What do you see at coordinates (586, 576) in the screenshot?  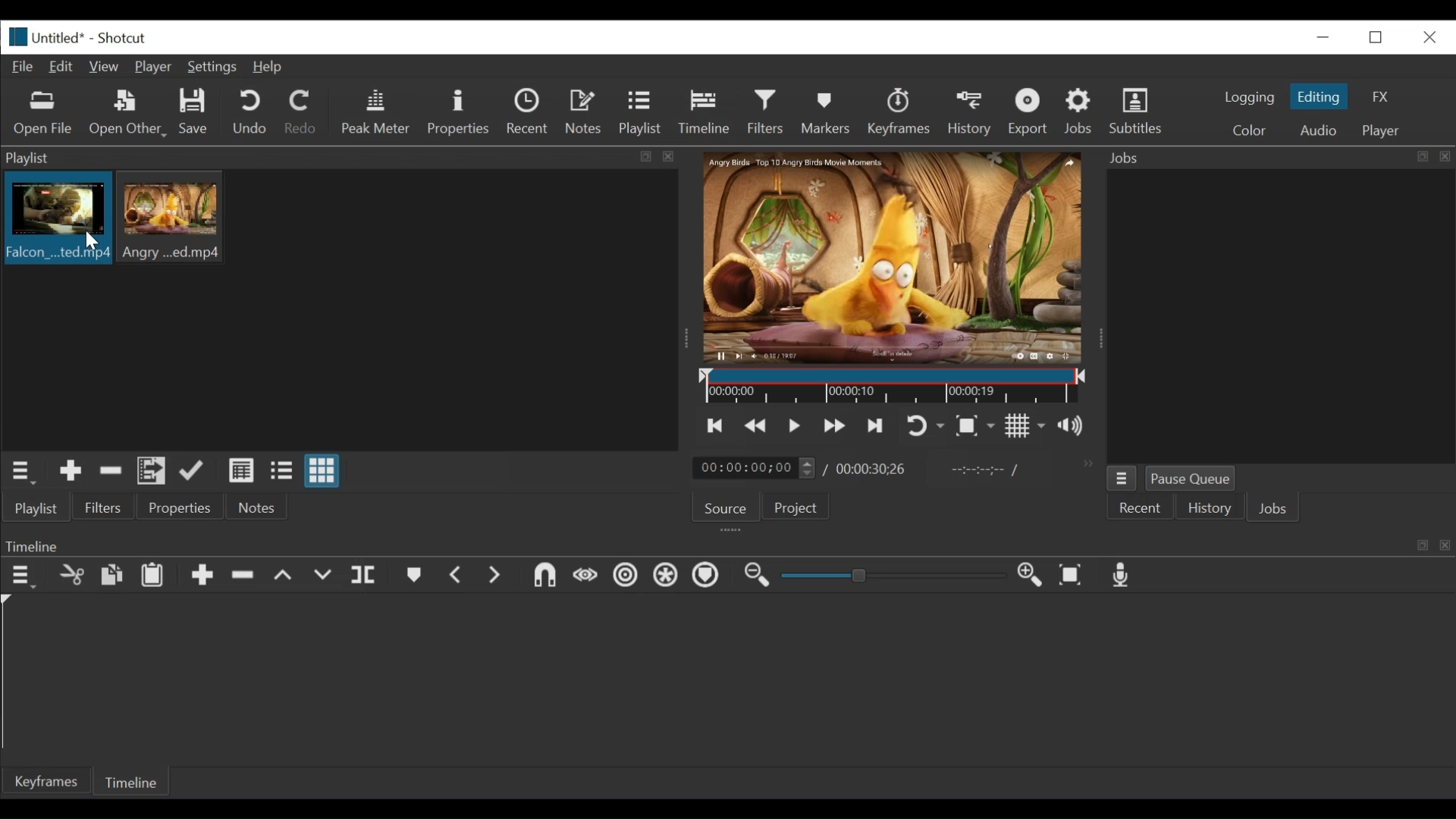 I see `scrub while dragging` at bounding box center [586, 576].